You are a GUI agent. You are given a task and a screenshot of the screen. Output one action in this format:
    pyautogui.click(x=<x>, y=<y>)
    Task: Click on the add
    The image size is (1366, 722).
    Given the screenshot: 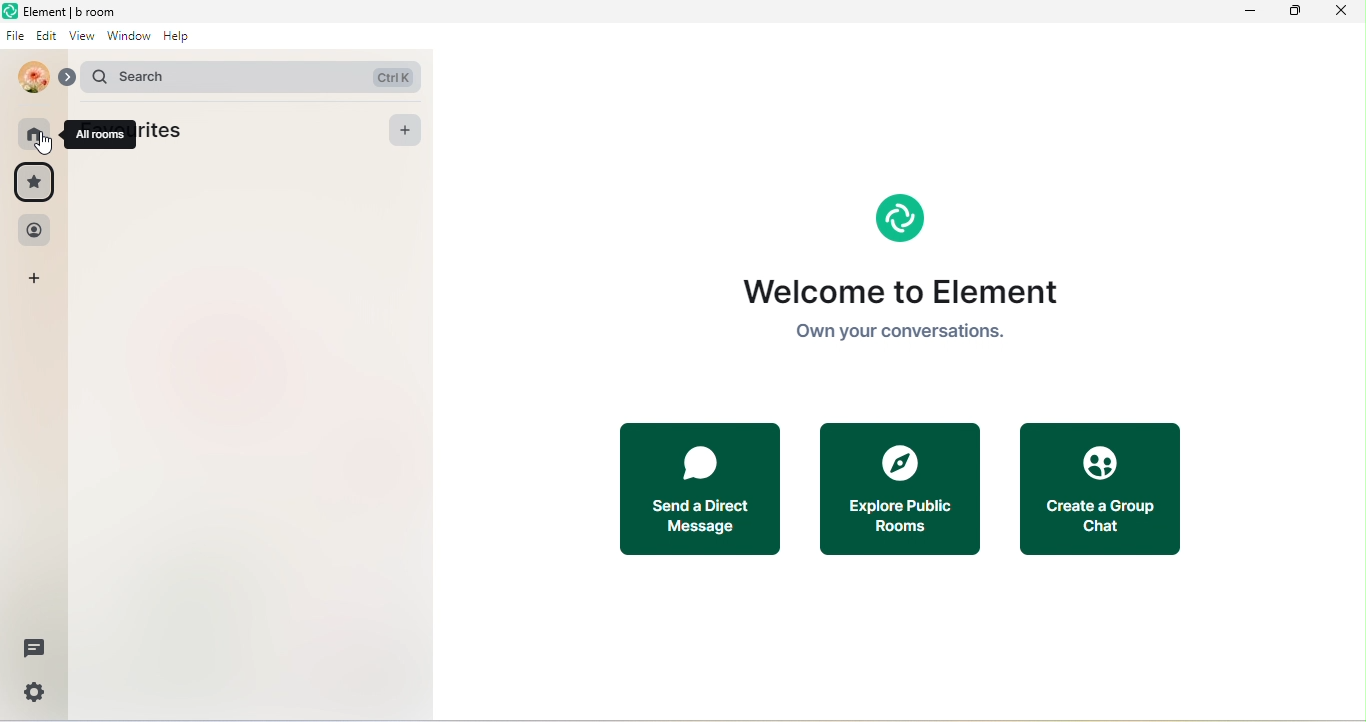 What is the action you would take?
    pyautogui.click(x=407, y=131)
    